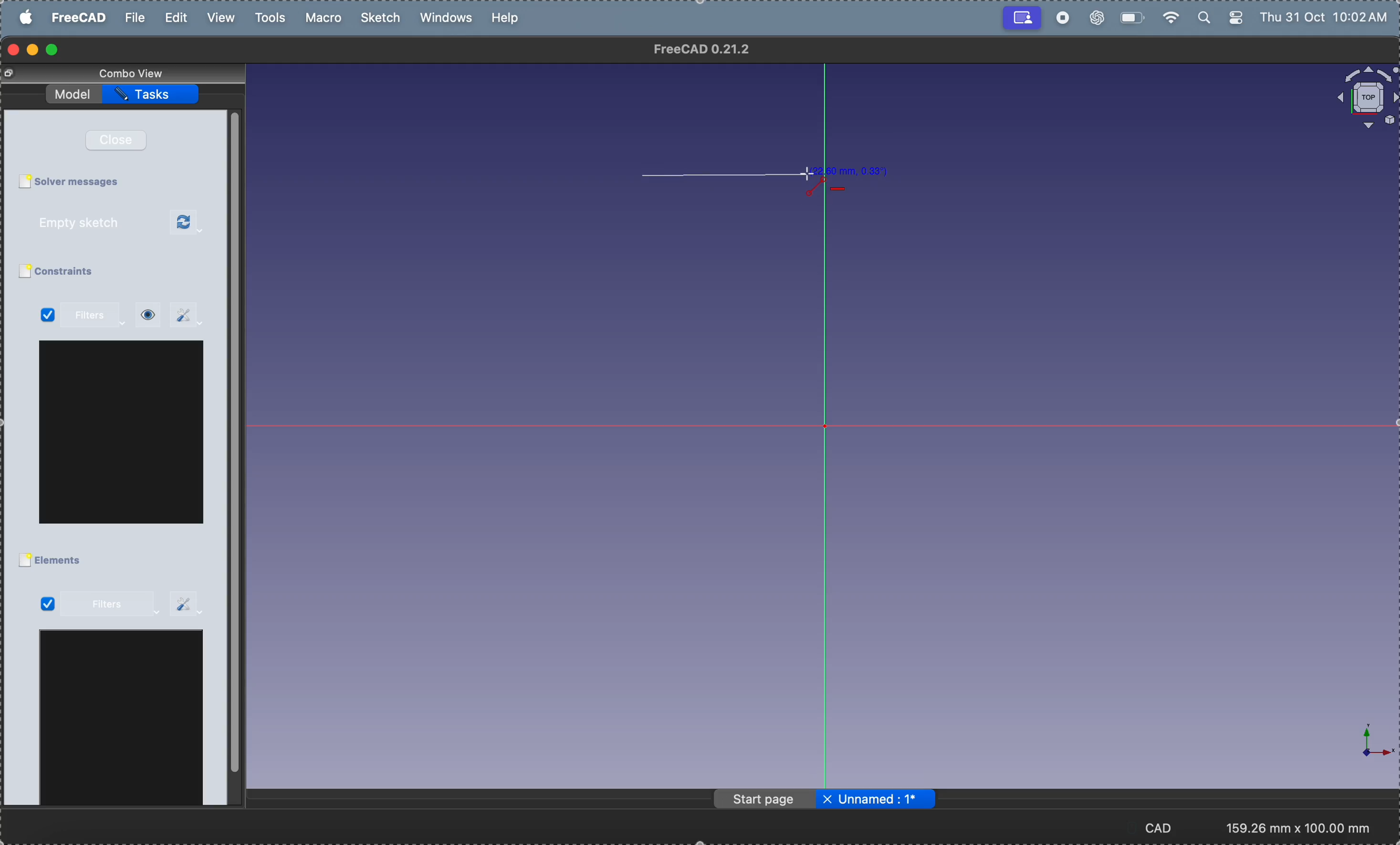 Image resolution: width=1400 pixels, height=845 pixels. I want to click on task, so click(153, 94).